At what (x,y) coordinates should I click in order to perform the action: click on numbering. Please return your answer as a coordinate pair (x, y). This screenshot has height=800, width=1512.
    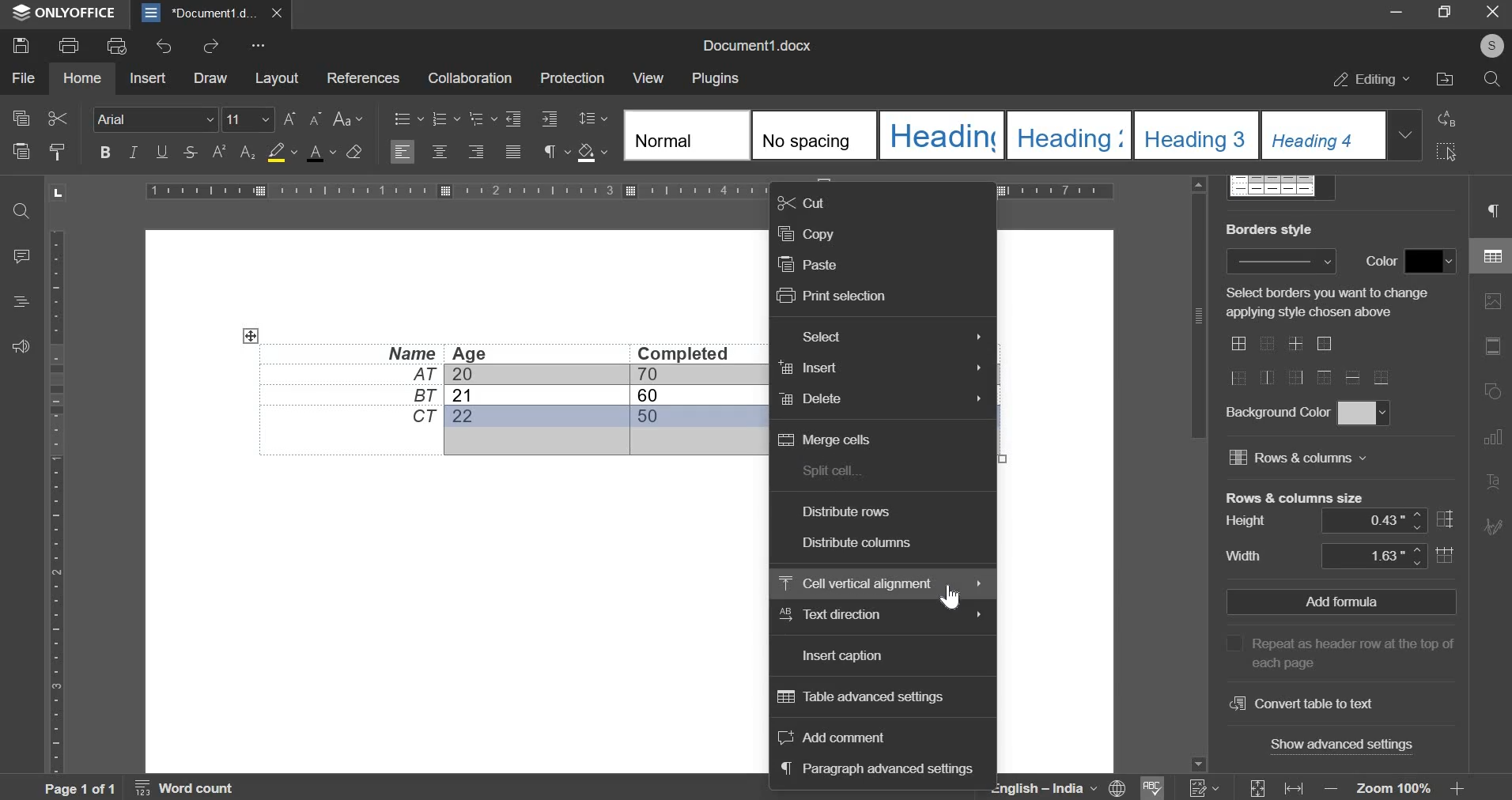
    Looking at the image, I should click on (1204, 787).